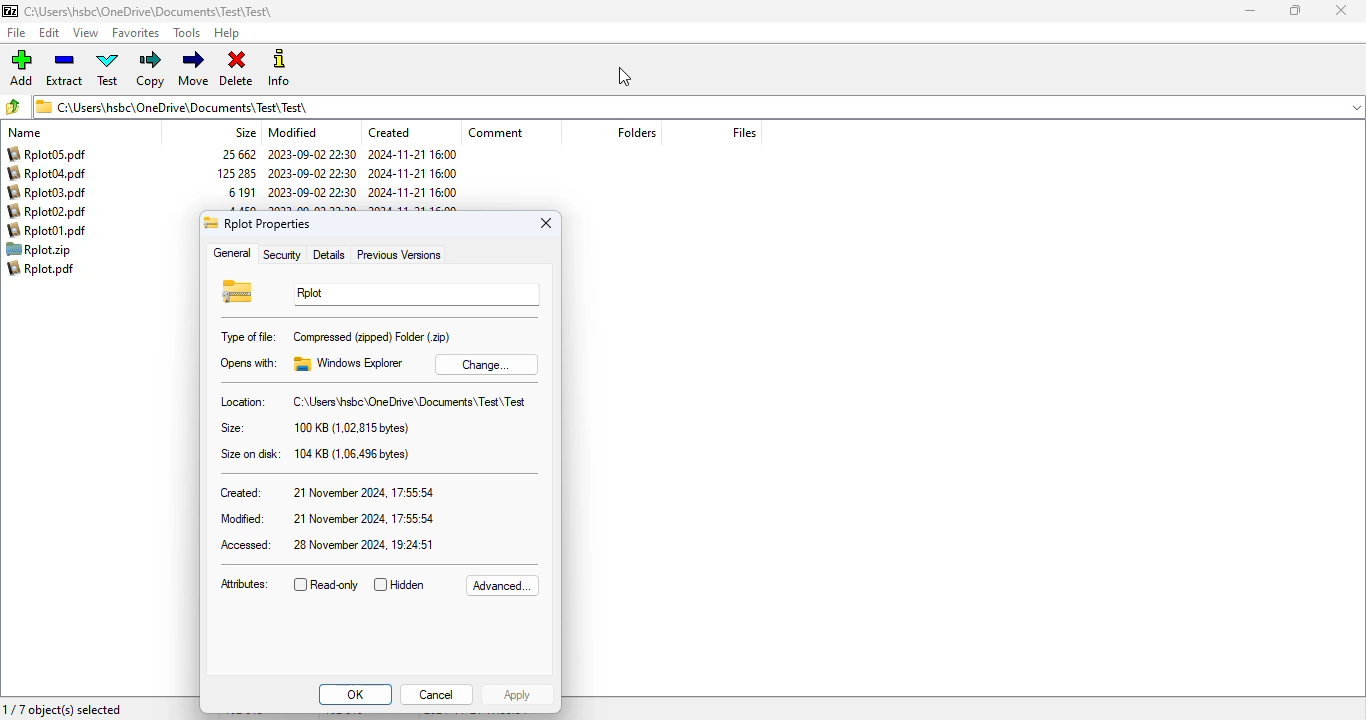 This screenshot has height=720, width=1366. Describe the element at coordinates (10, 11) in the screenshot. I see `logo` at that location.